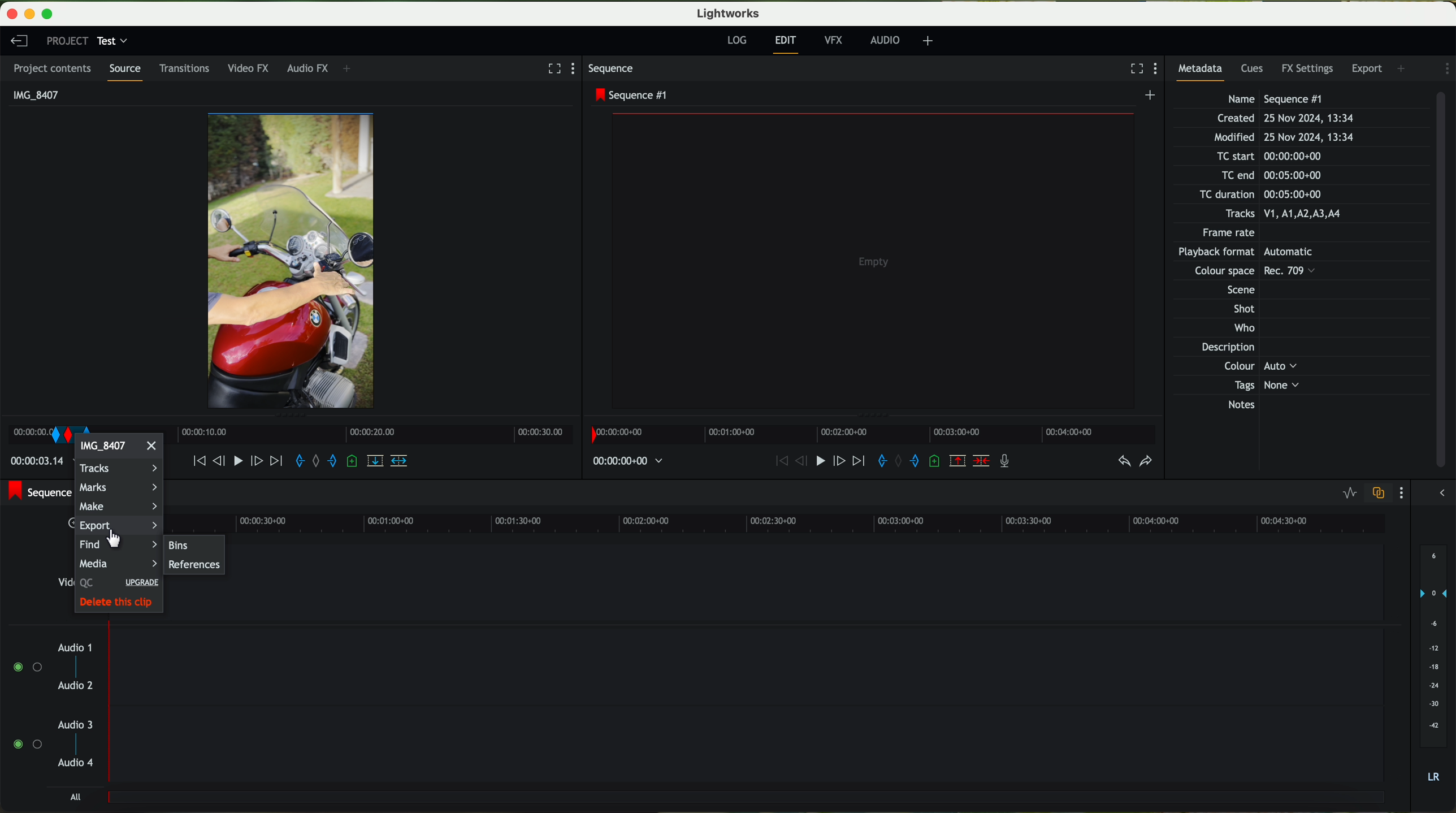 The height and width of the screenshot is (813, 1456). I want to click on sequence #1, so click(38, 494).